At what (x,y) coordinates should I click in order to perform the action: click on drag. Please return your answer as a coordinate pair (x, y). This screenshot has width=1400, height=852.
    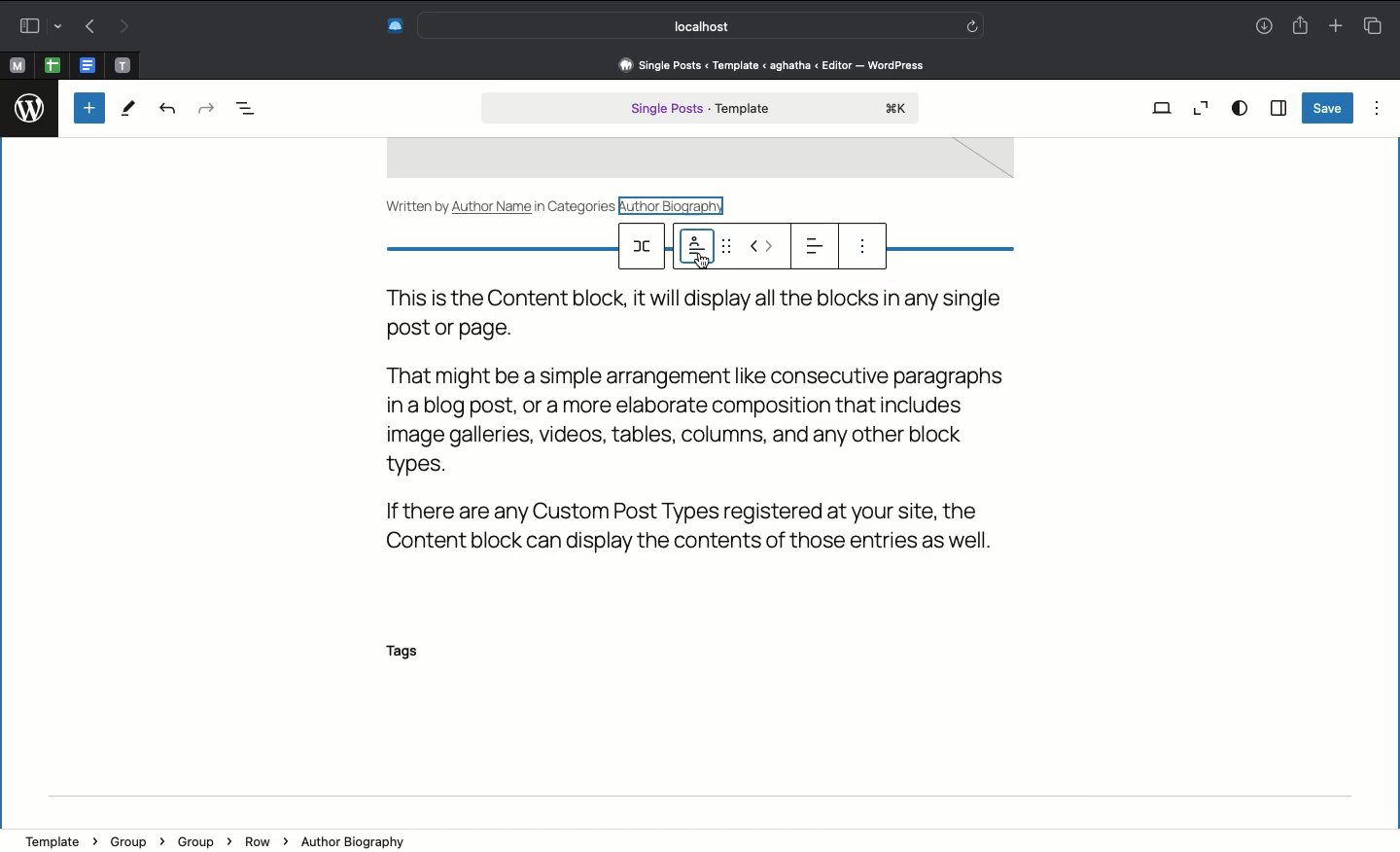
    Looking at the image, I should click on (730, 247).